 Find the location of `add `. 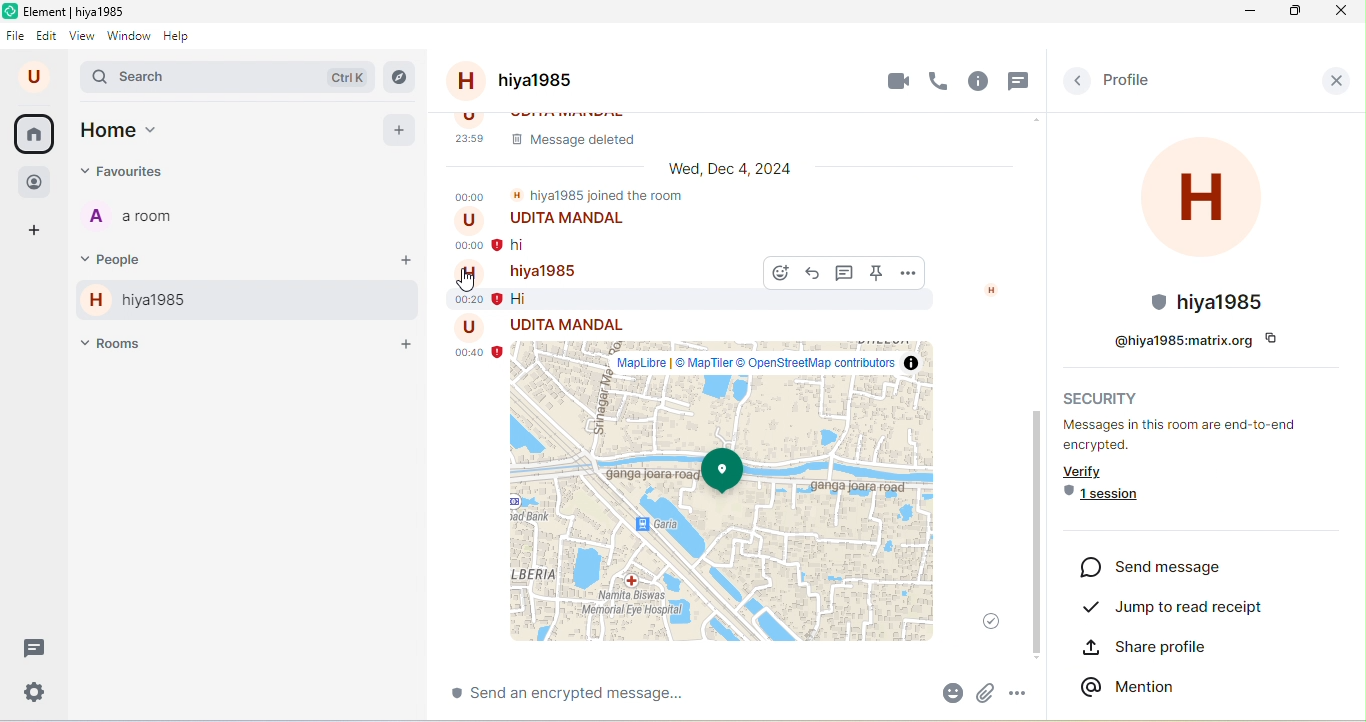

add  is located at coordinates (399, 129).